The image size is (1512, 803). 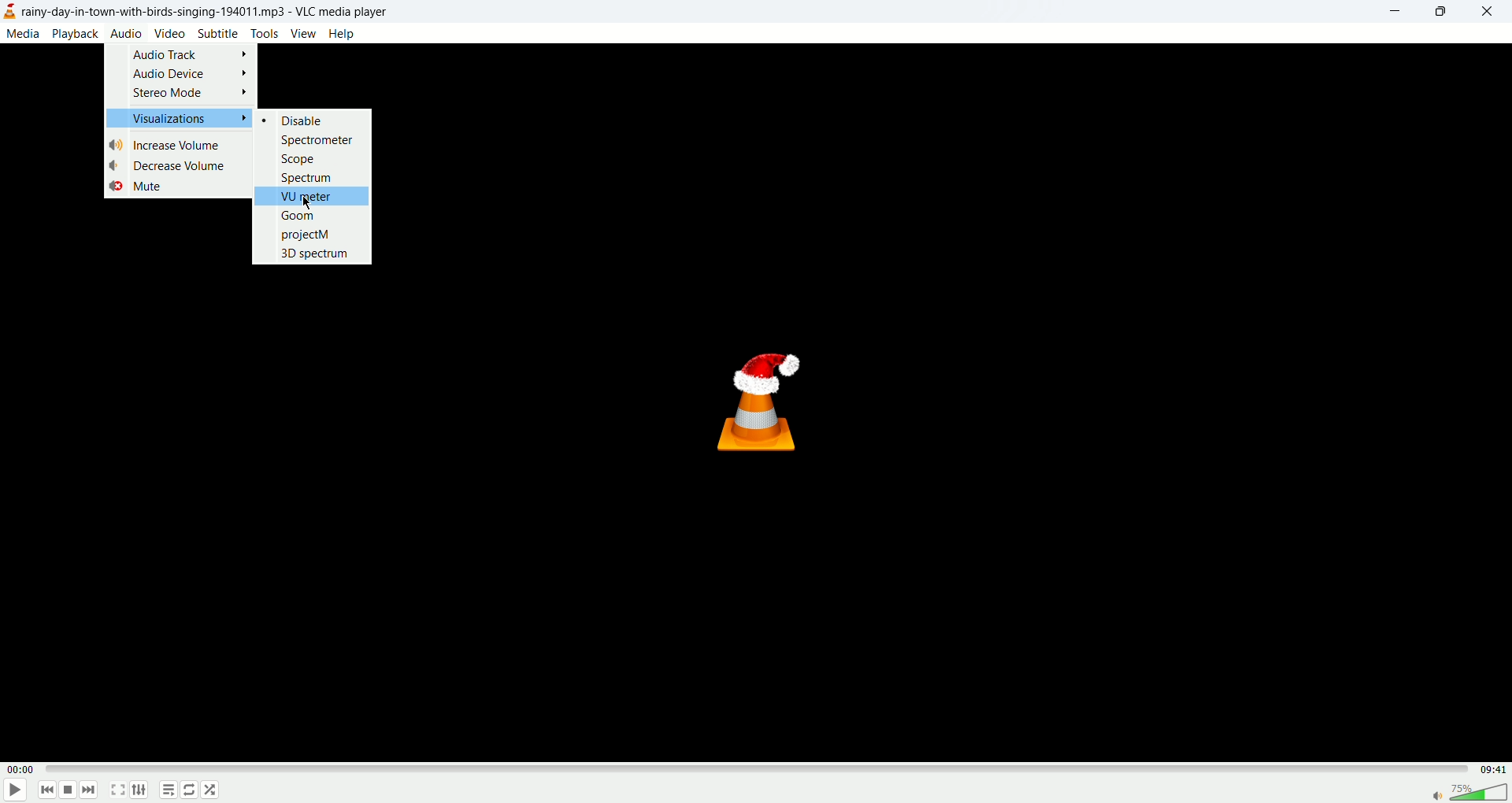 What do you see at coordinates (299, 160) in the screenshot?
I see `scope` at bounding box center [299, 160].